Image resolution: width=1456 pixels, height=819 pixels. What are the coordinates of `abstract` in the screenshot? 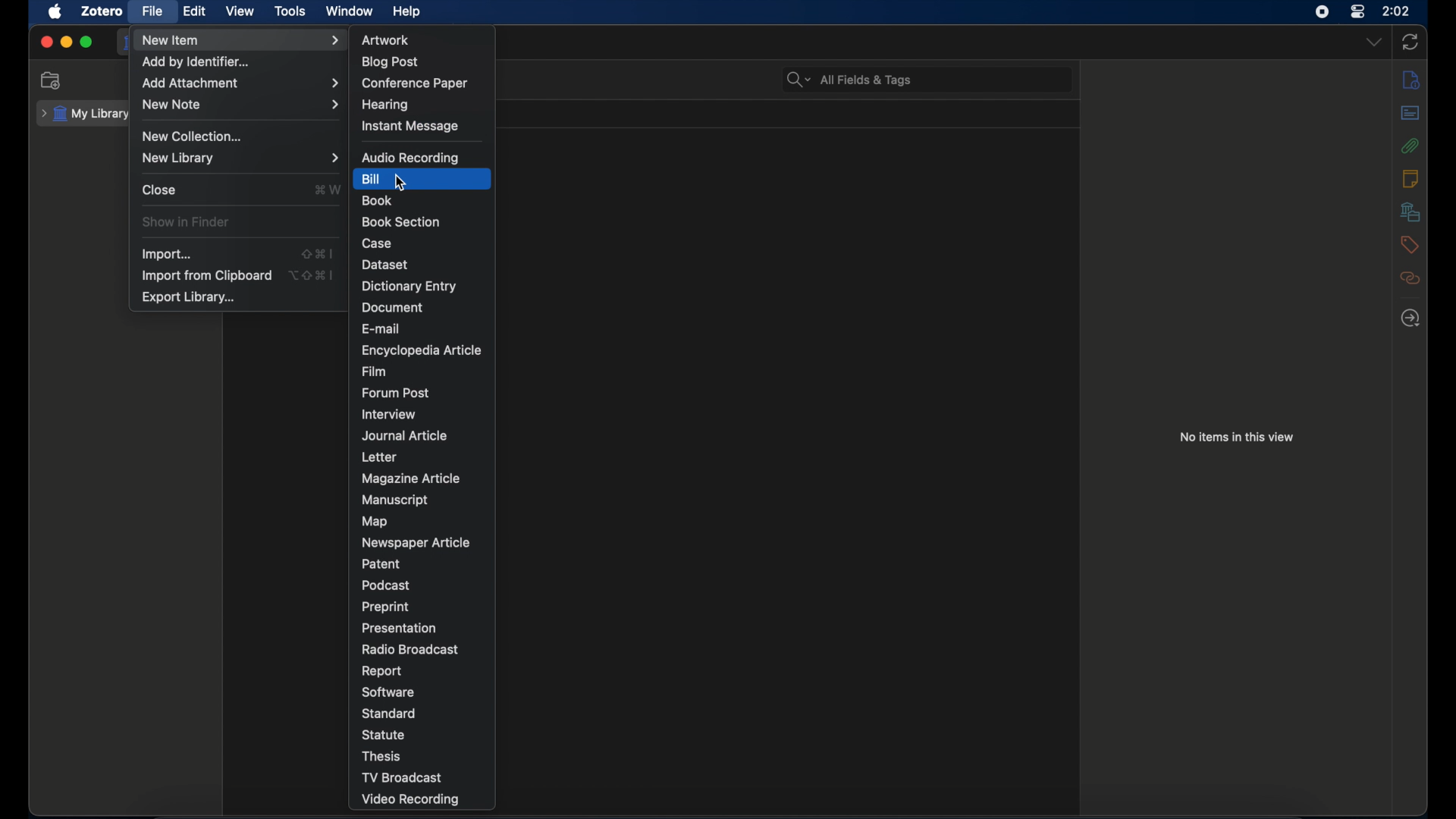 It's located at (1410, 112).